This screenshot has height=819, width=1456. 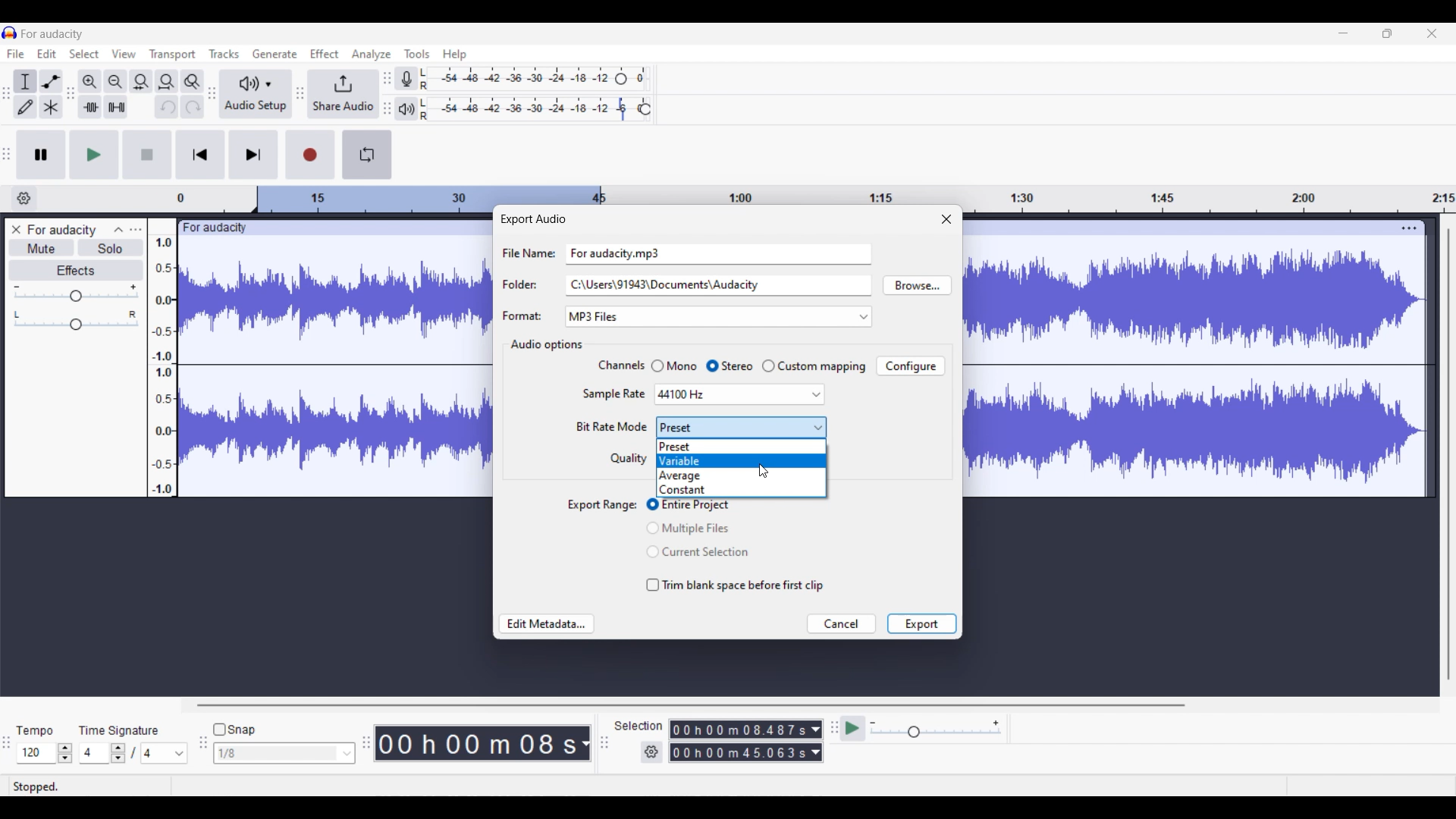 What do you see at coordinates (595, 317) in the screenshot?
I see `Format changed to selection` at bounding box center [595, 317].